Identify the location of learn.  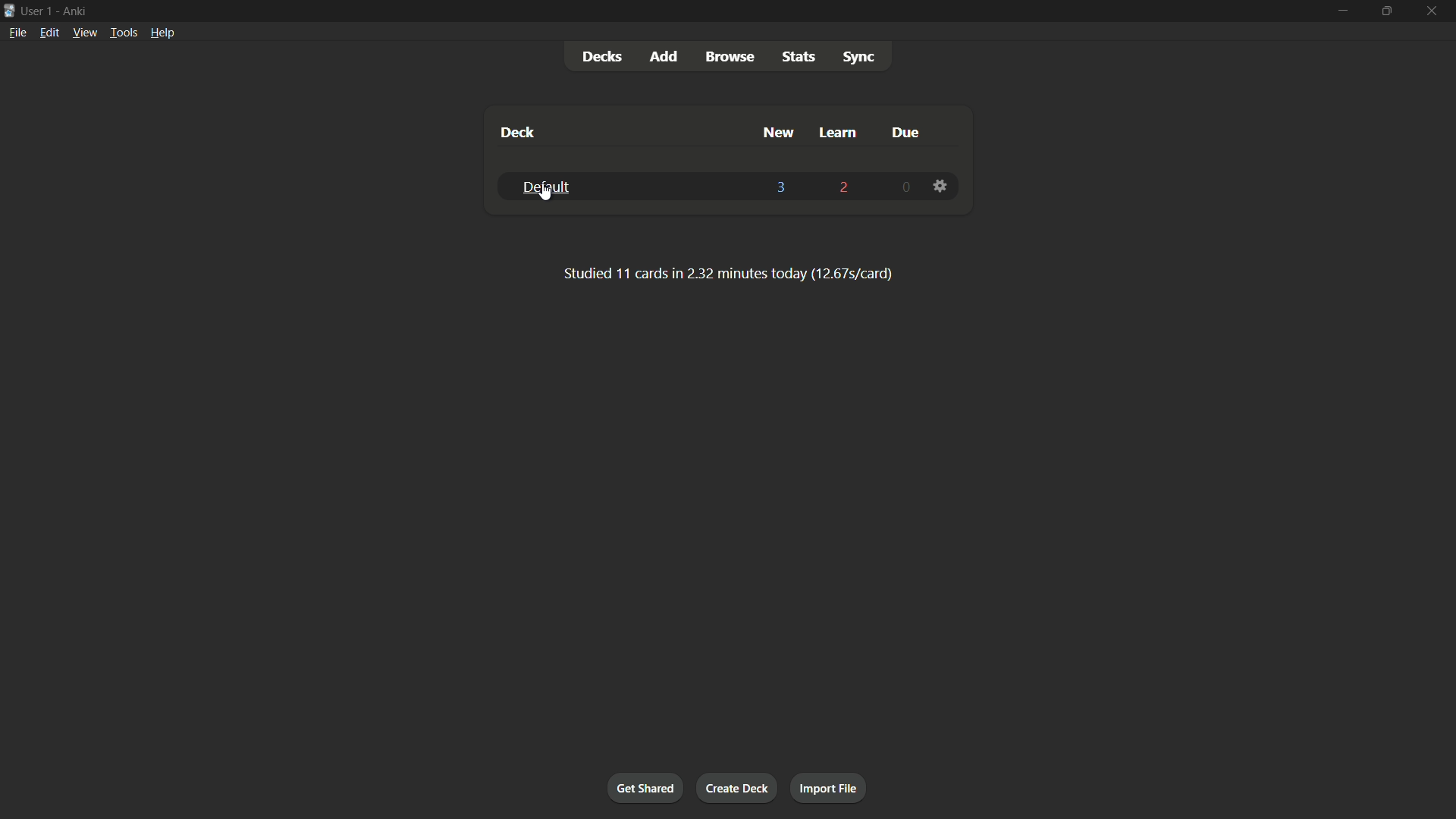
(836, 132).